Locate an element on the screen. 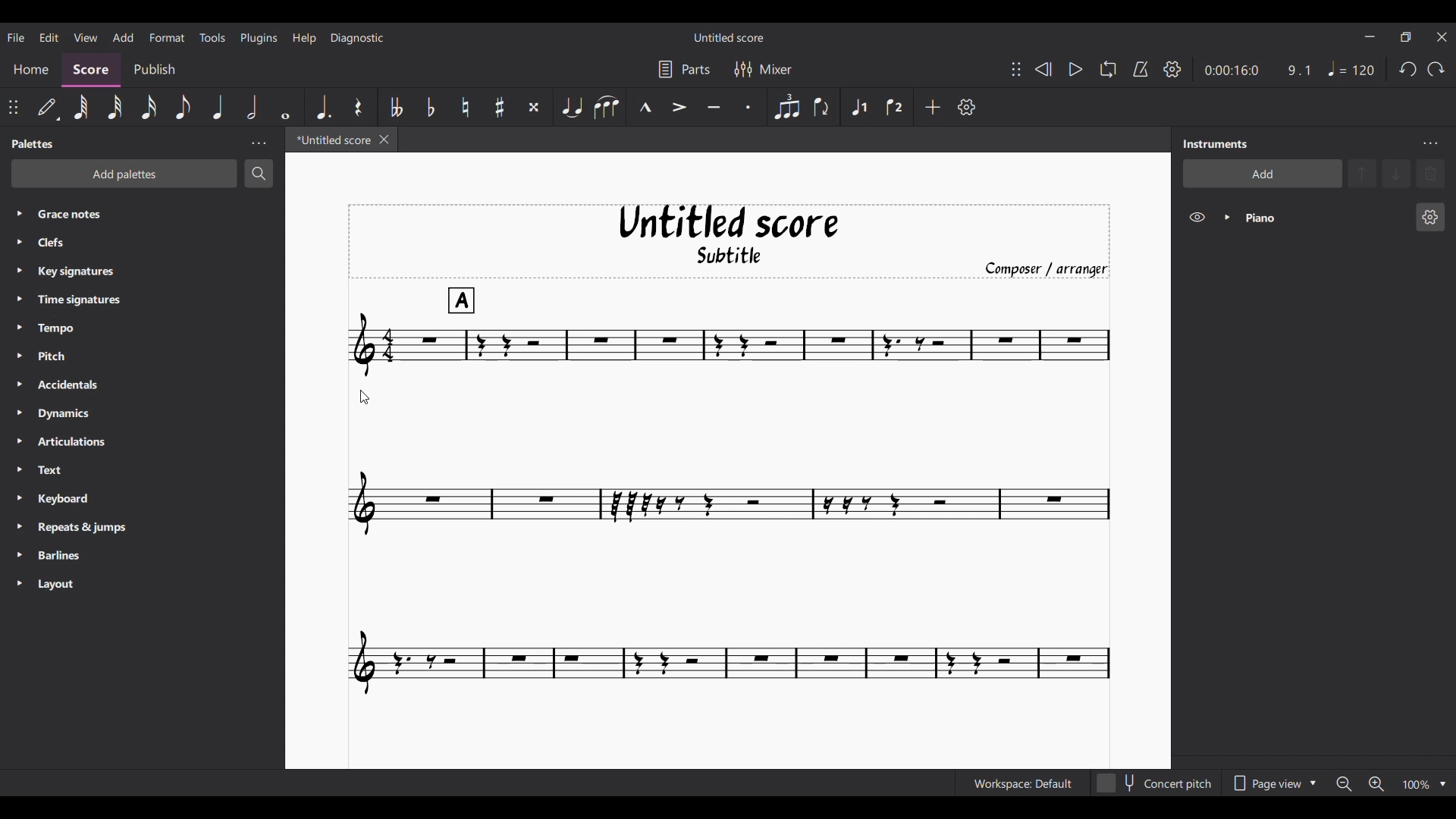  Delete is located at coordinates (1431, 174).